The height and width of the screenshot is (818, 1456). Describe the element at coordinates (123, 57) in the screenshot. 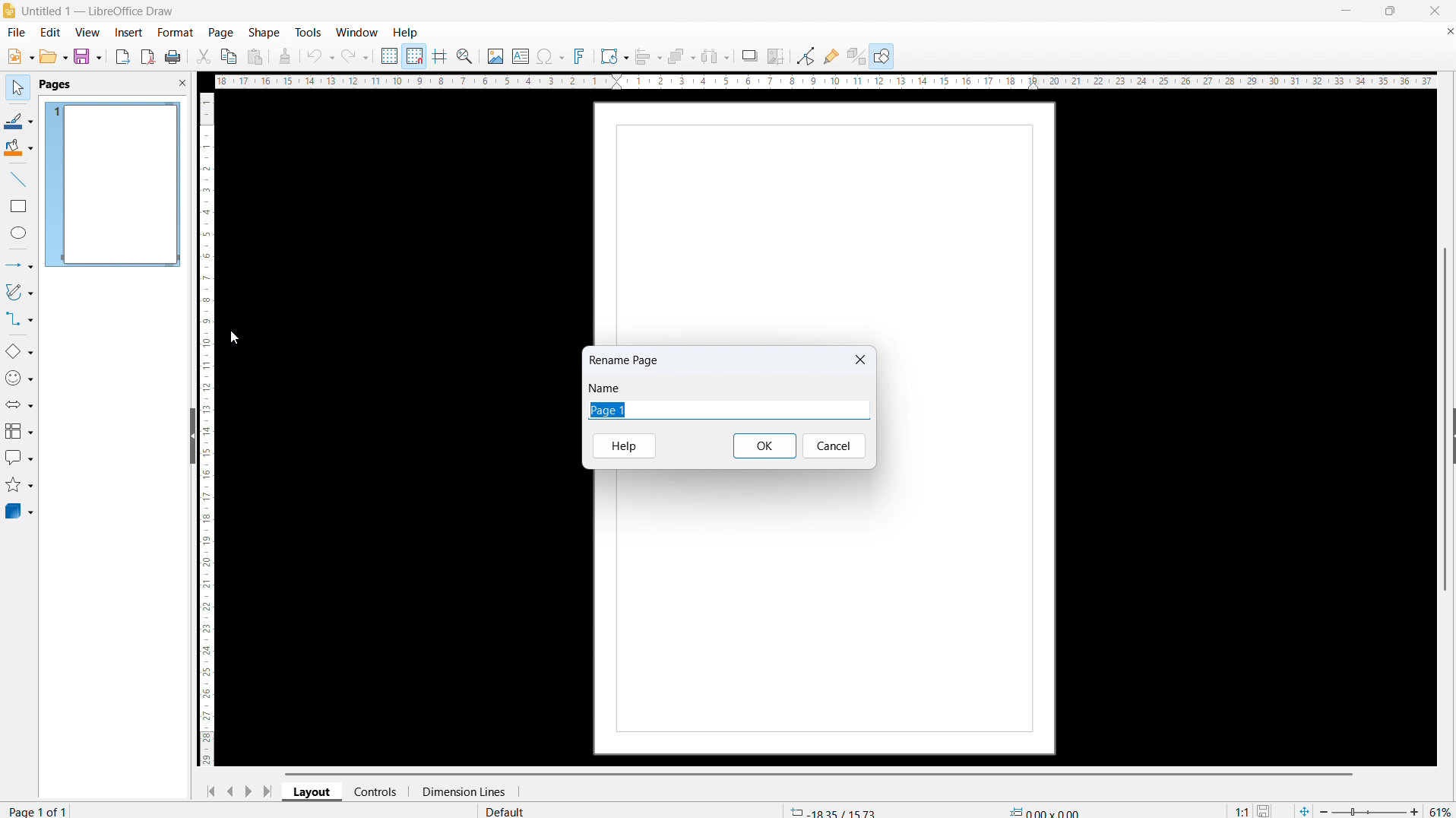

I see `export` at that location.